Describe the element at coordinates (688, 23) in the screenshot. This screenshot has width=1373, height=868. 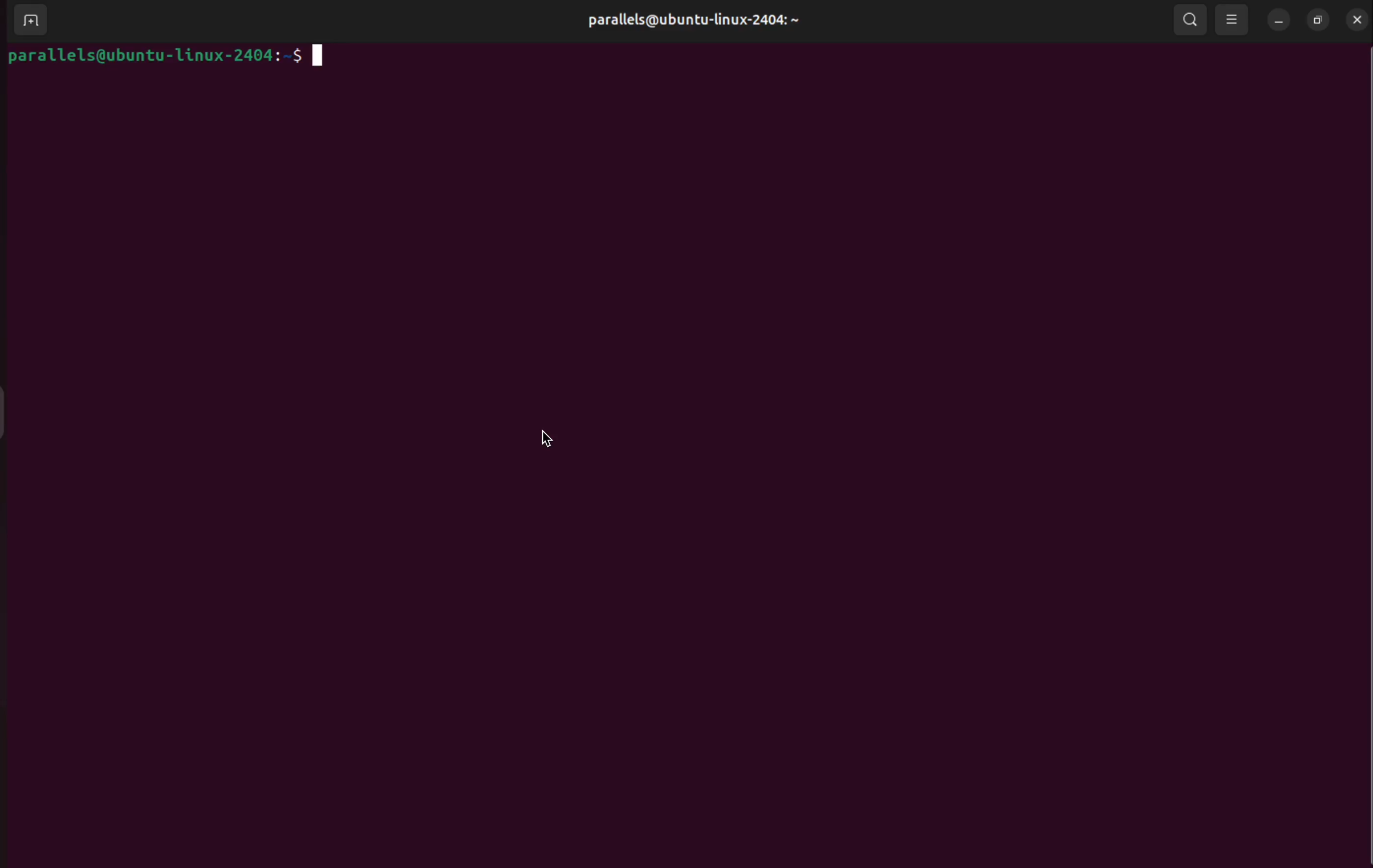
I see `user profile` at that location.